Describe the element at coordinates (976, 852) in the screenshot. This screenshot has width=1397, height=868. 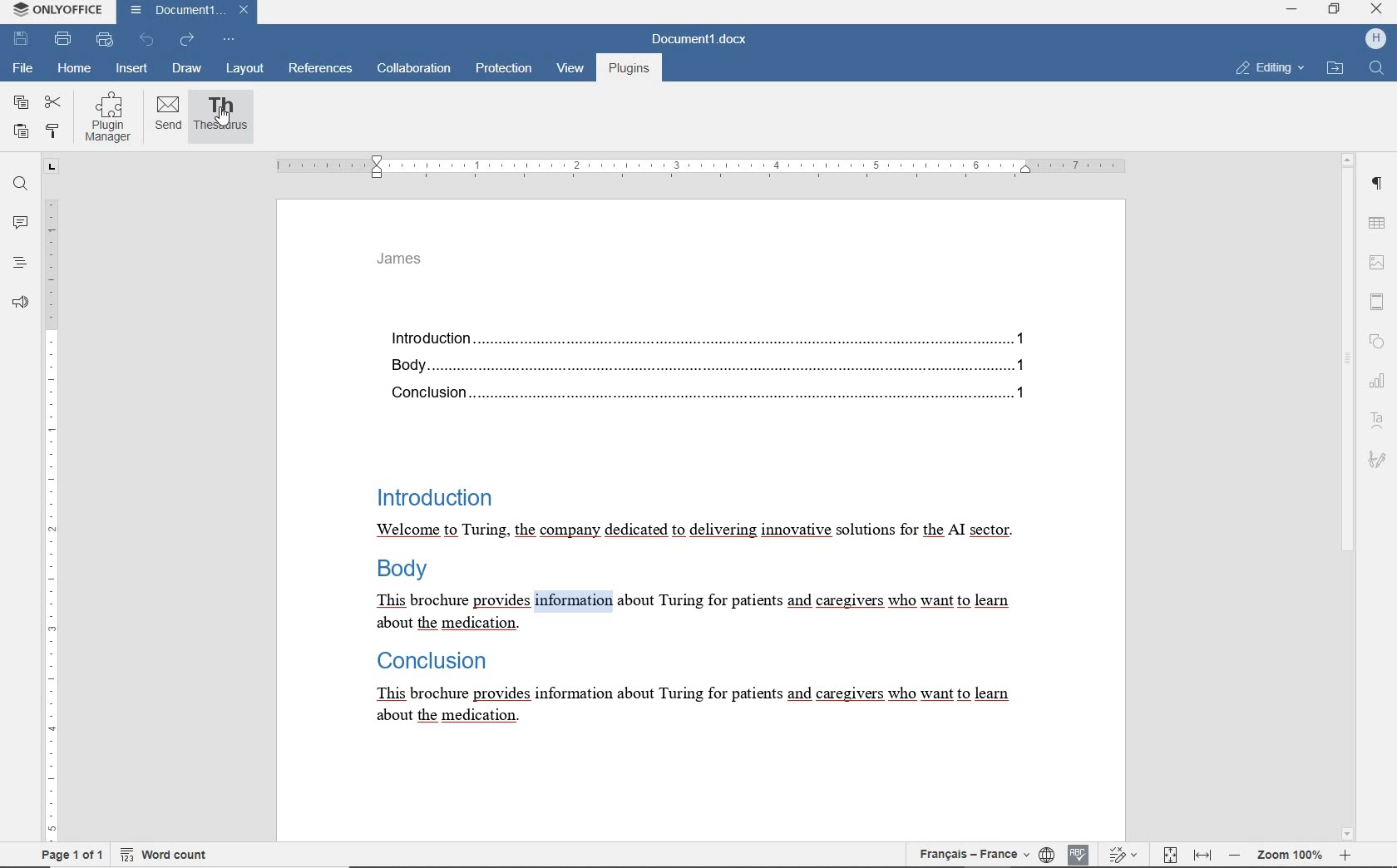
I see `TEXT LANGUAGE` at that location.